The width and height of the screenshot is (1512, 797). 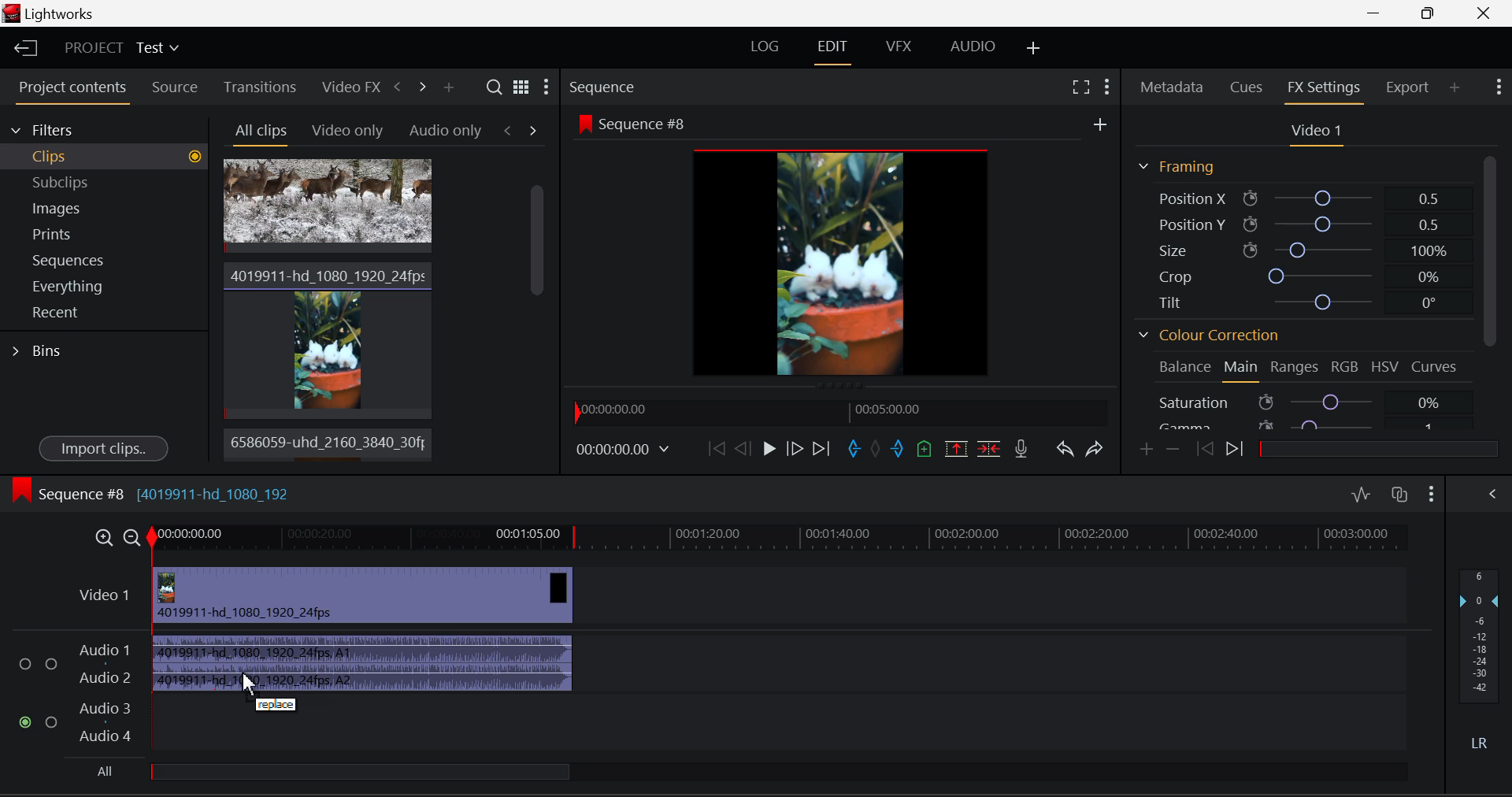 What do you see at coordinates (1480, 651) in the screenshot?
I see `Decibel Level` at bounding box center [1480, 651].